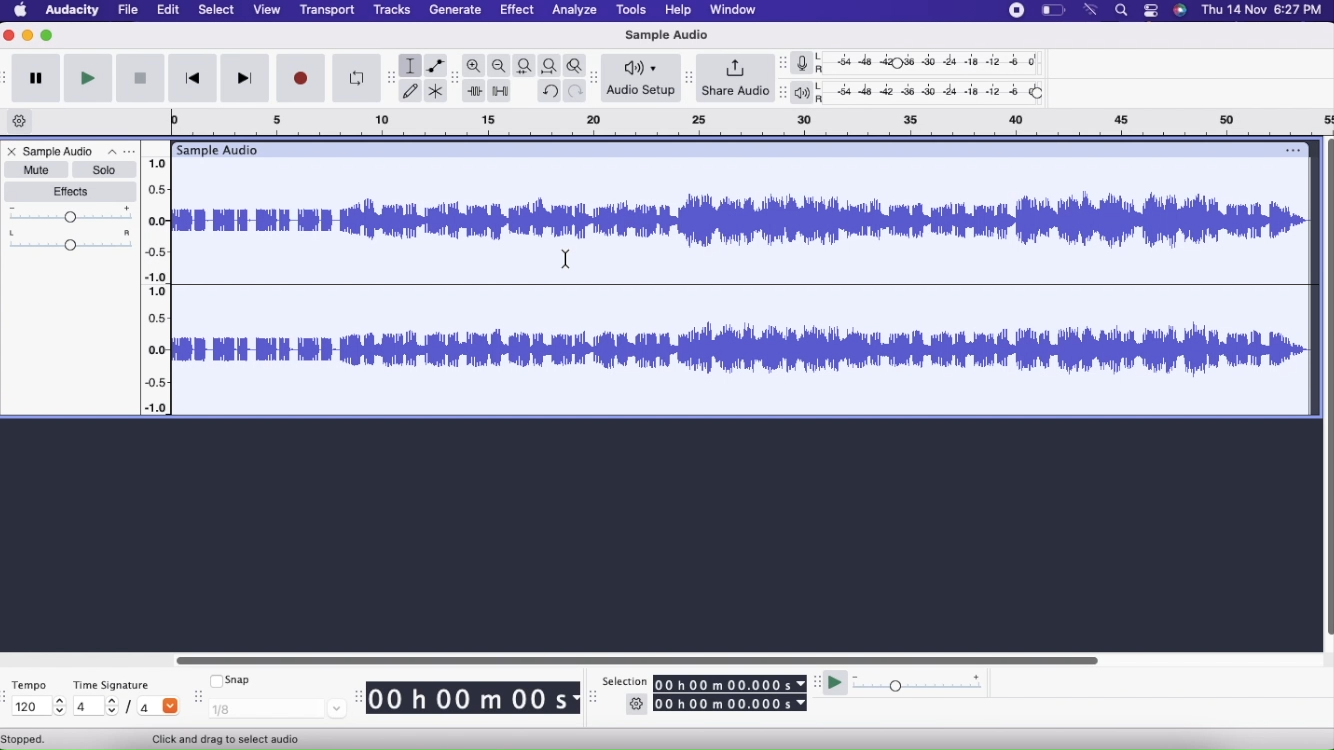 This screenshot has width=1334, height=750. I want to click on Window, so click(733, 10).